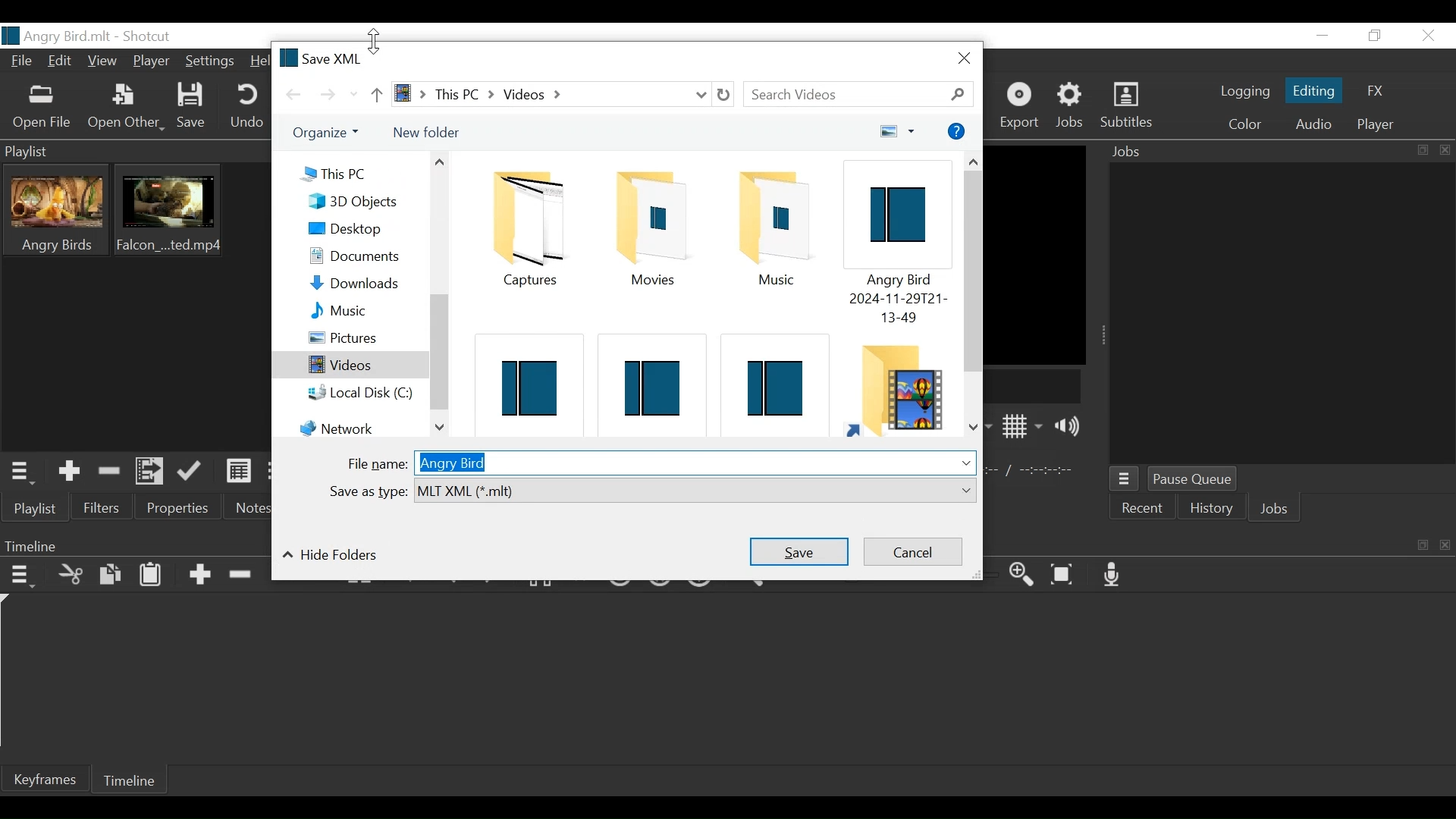 Image resolution: width=1456 pixels, height=819 pixels. Describe the element at coordinates (362, 255) in the screenshot. I see `Documents` at that location.